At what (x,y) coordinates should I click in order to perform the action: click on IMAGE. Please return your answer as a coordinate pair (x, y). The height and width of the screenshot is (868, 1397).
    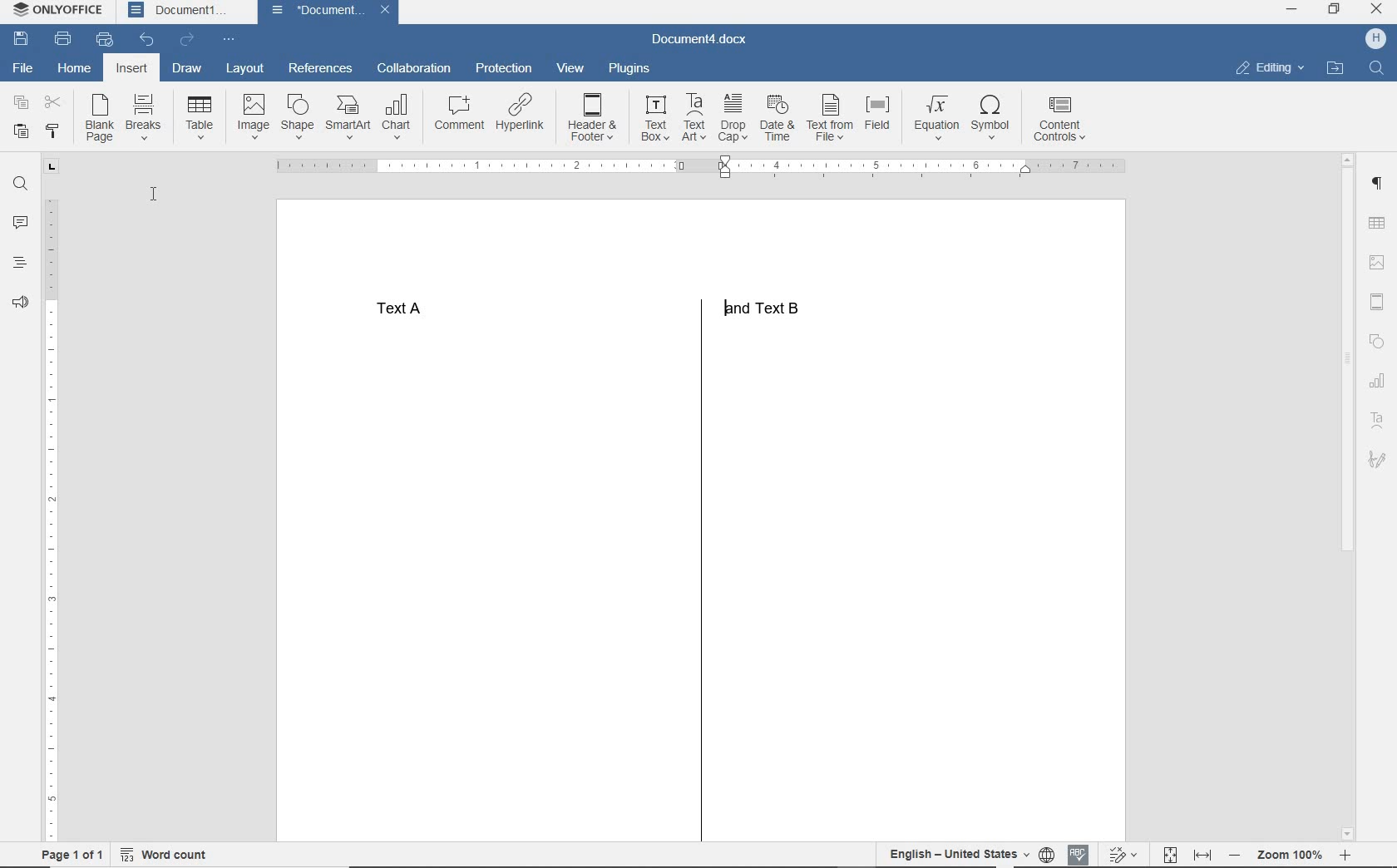
    Looking at the image, I should click on (1376, 264).